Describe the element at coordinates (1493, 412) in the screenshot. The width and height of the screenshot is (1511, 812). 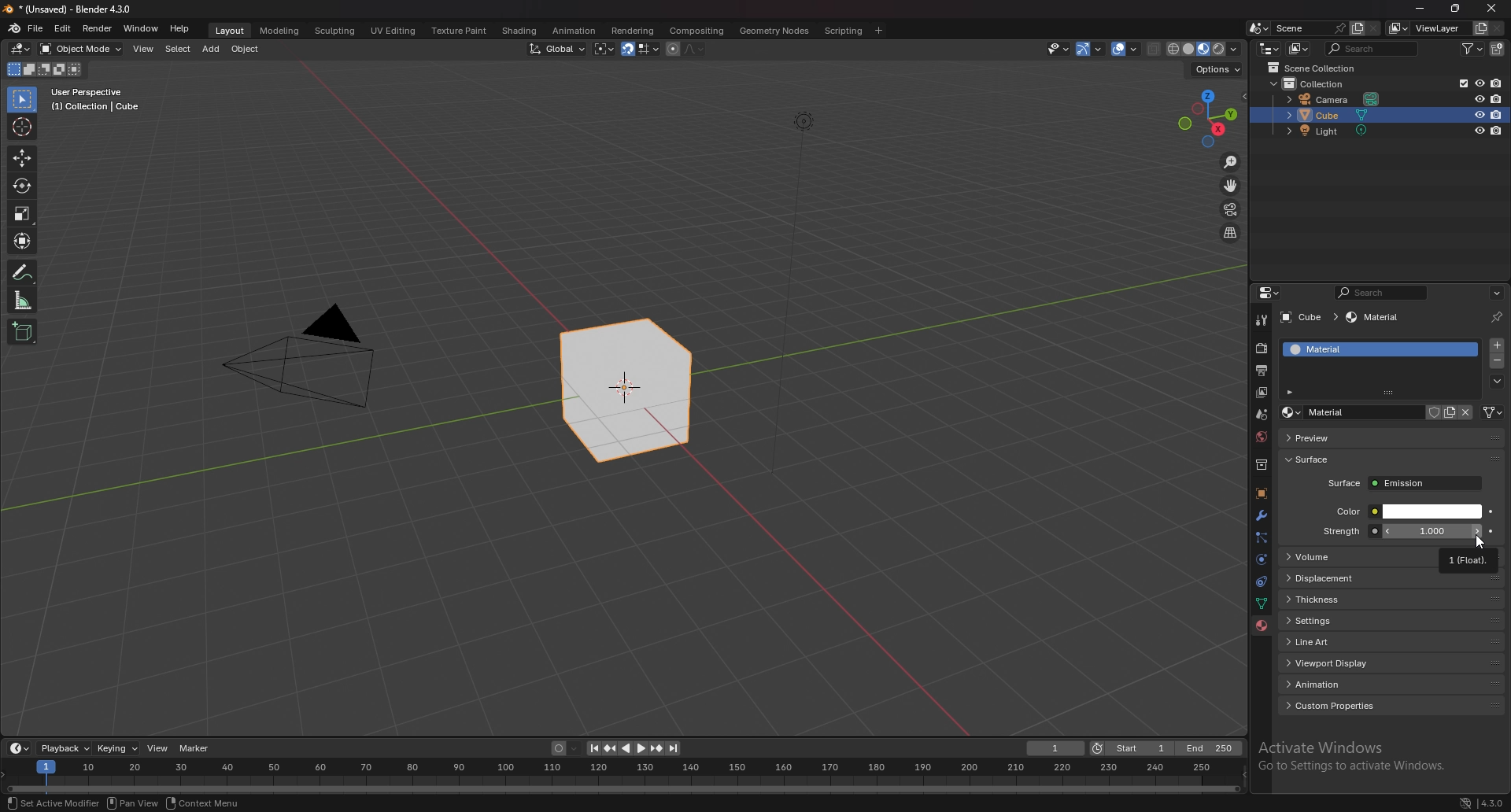
I see `link` at that location.